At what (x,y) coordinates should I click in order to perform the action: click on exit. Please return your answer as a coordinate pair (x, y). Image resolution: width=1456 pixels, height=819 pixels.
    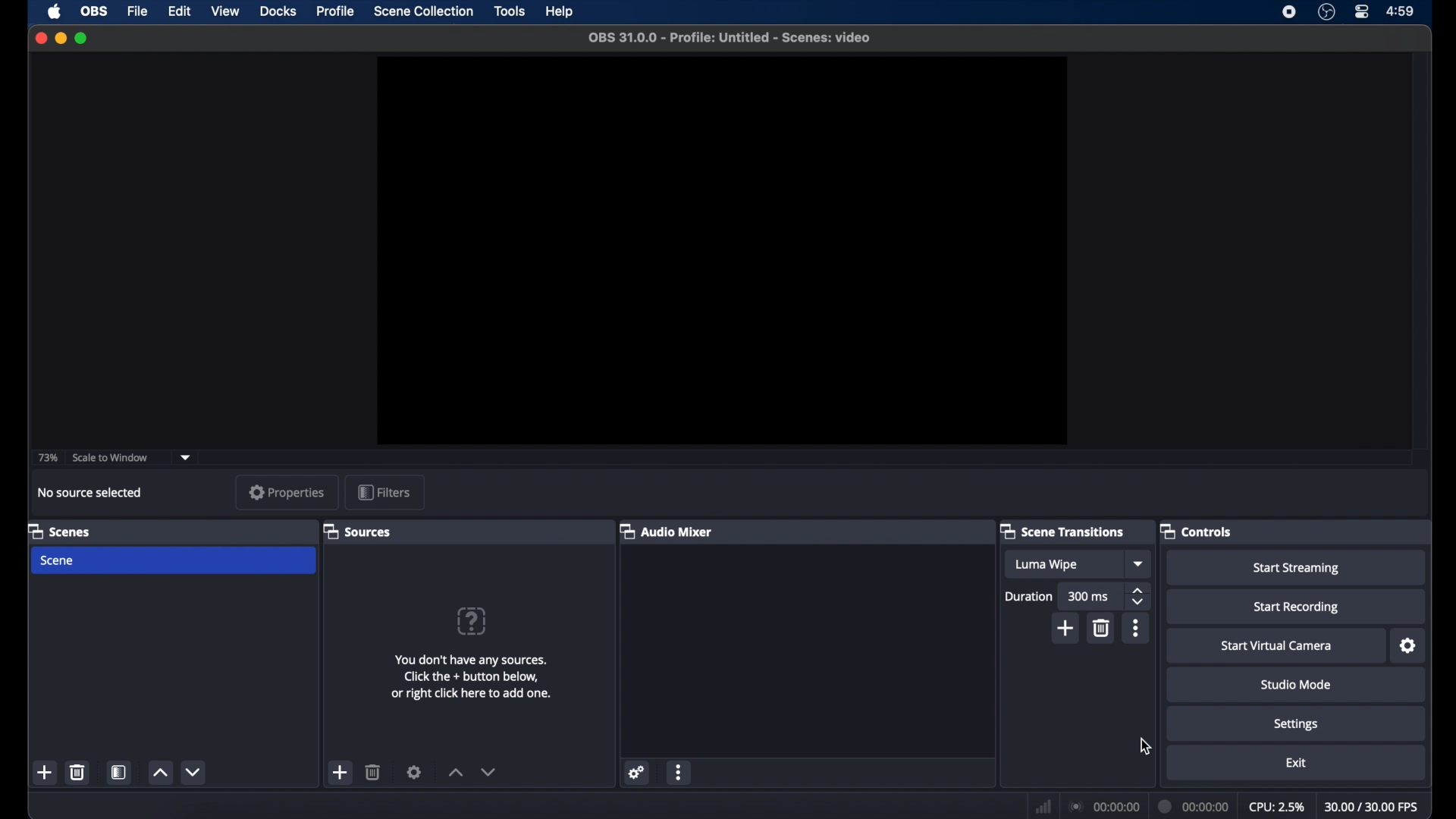
    Looking at the image, I should click on (1296, 763).